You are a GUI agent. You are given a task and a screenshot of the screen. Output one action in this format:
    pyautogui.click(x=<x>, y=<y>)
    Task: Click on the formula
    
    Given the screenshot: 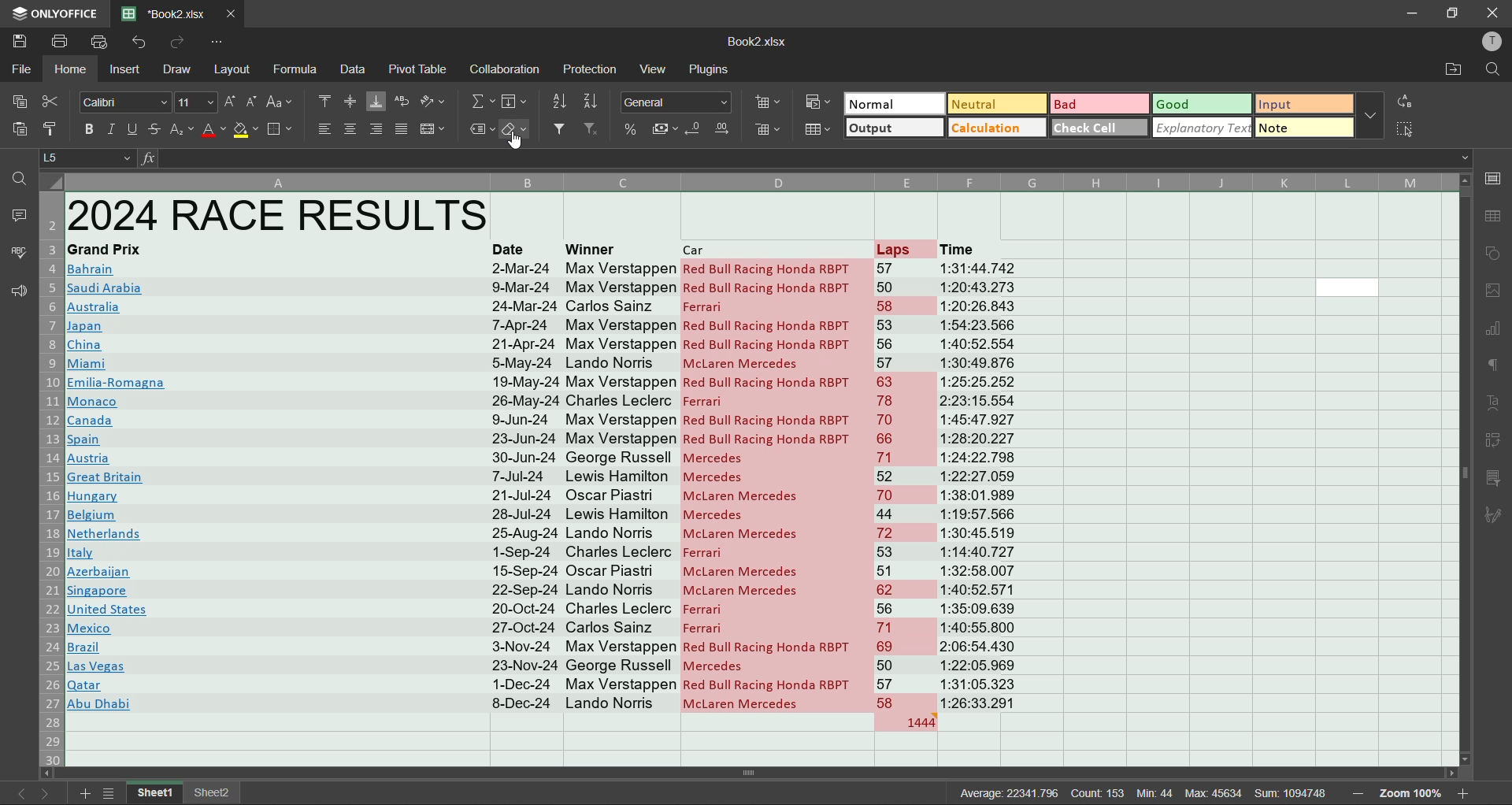 What is the action you would take?
    pyautogui.click(x=298, y=70)
    